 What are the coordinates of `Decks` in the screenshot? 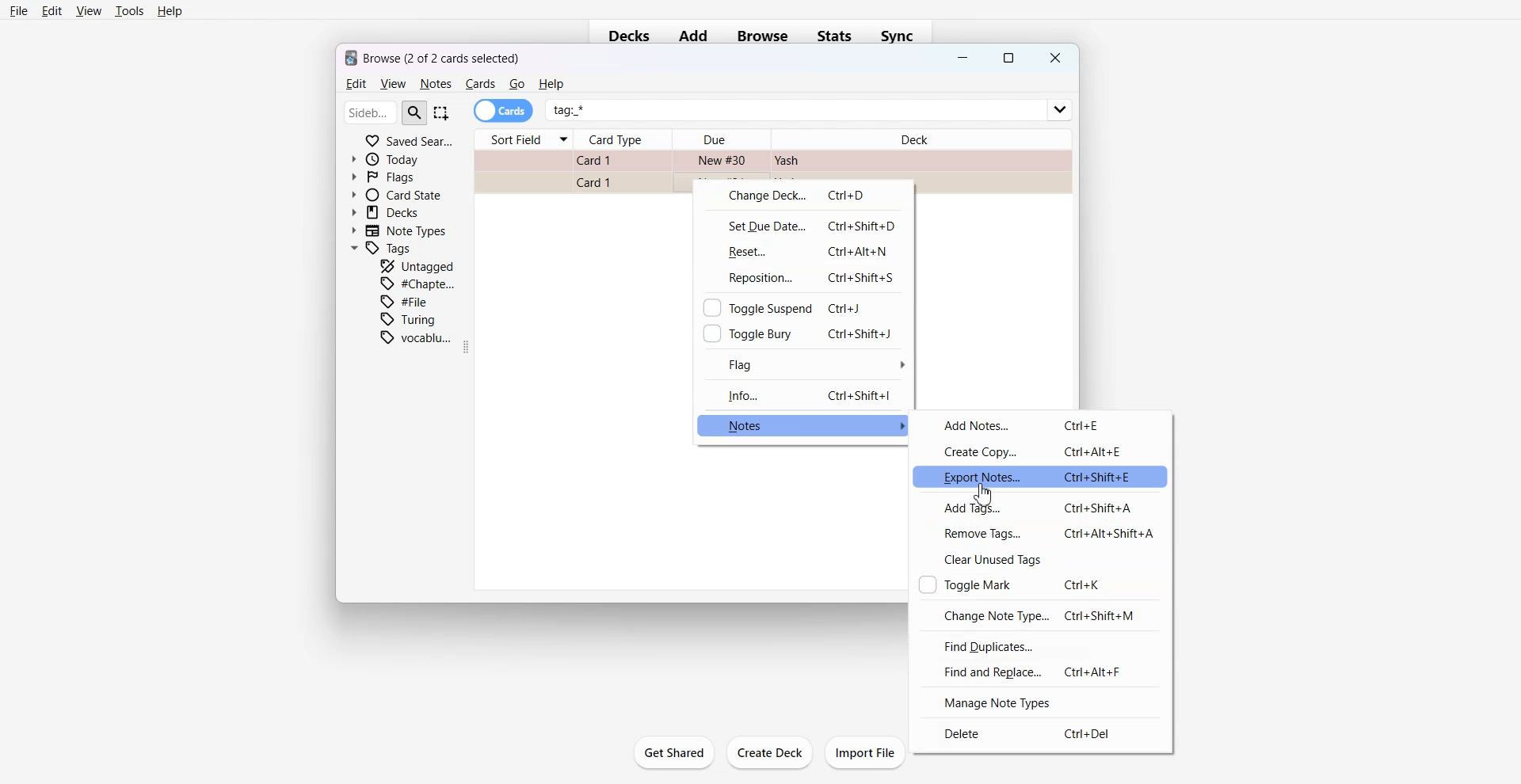 It's located at (624, 37).